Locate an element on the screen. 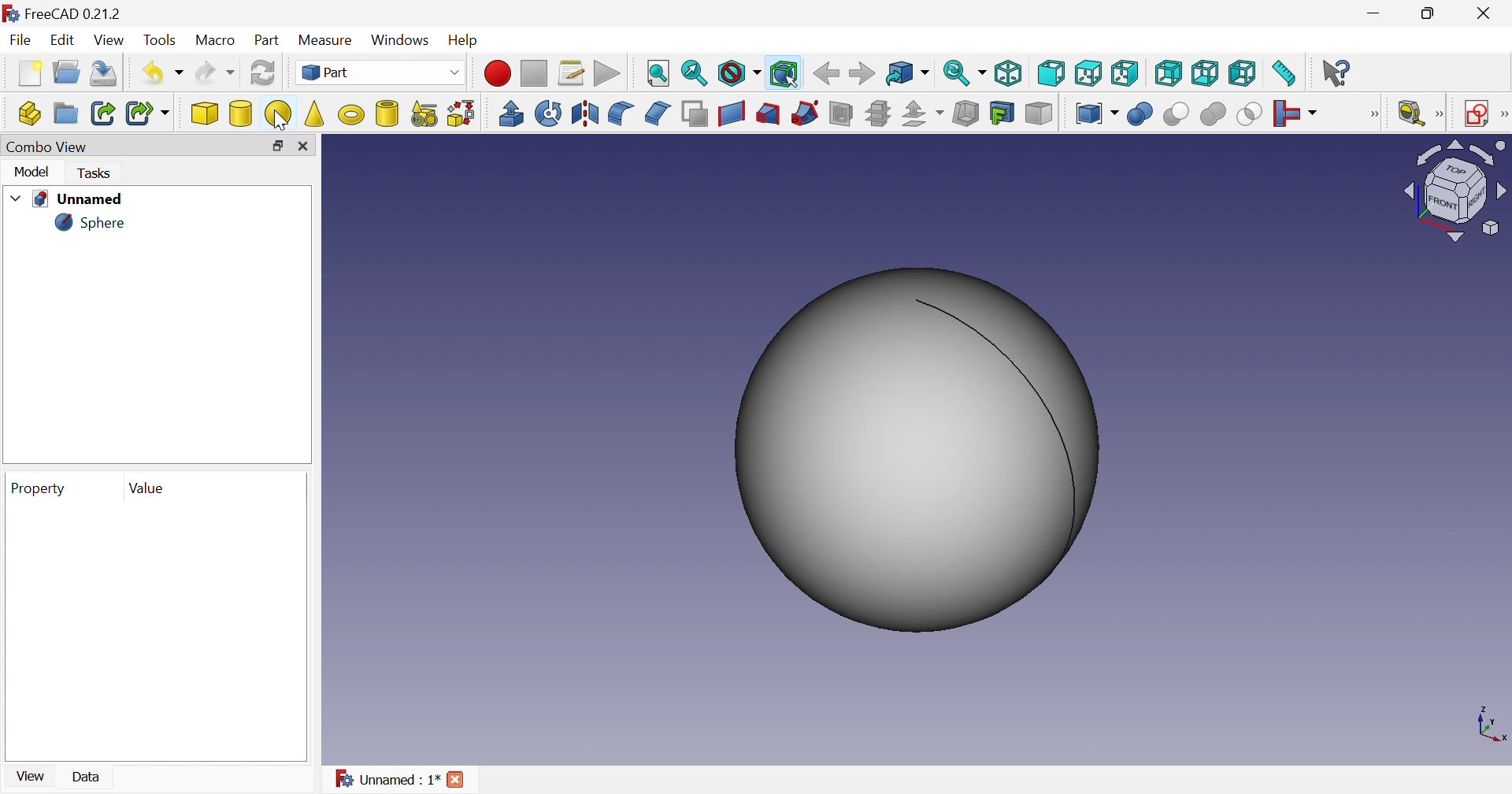 This screenshot has height=794, width=1512. Part is located at coordinates (380, 71).